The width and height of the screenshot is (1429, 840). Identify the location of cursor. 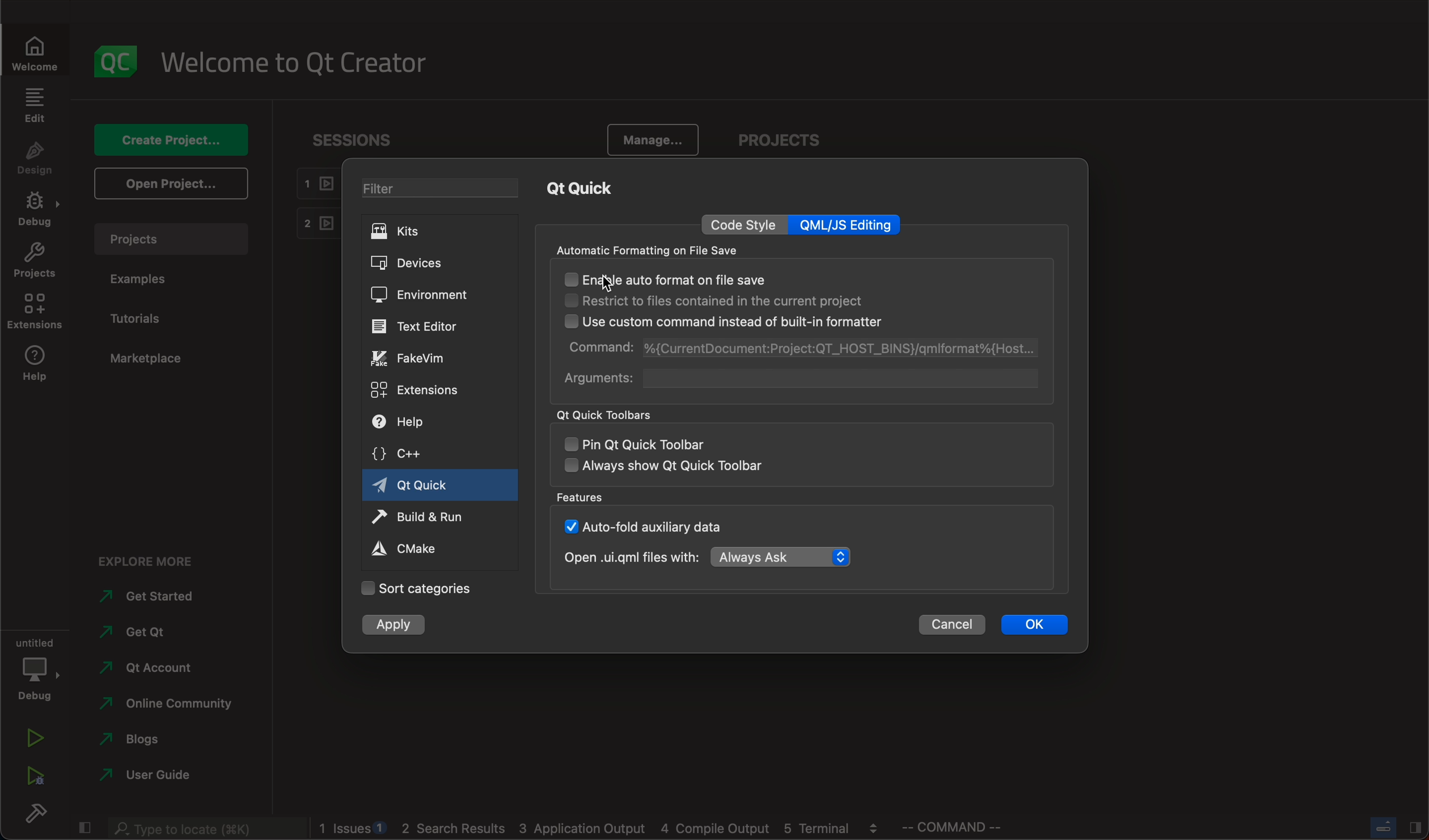
(605, 286).